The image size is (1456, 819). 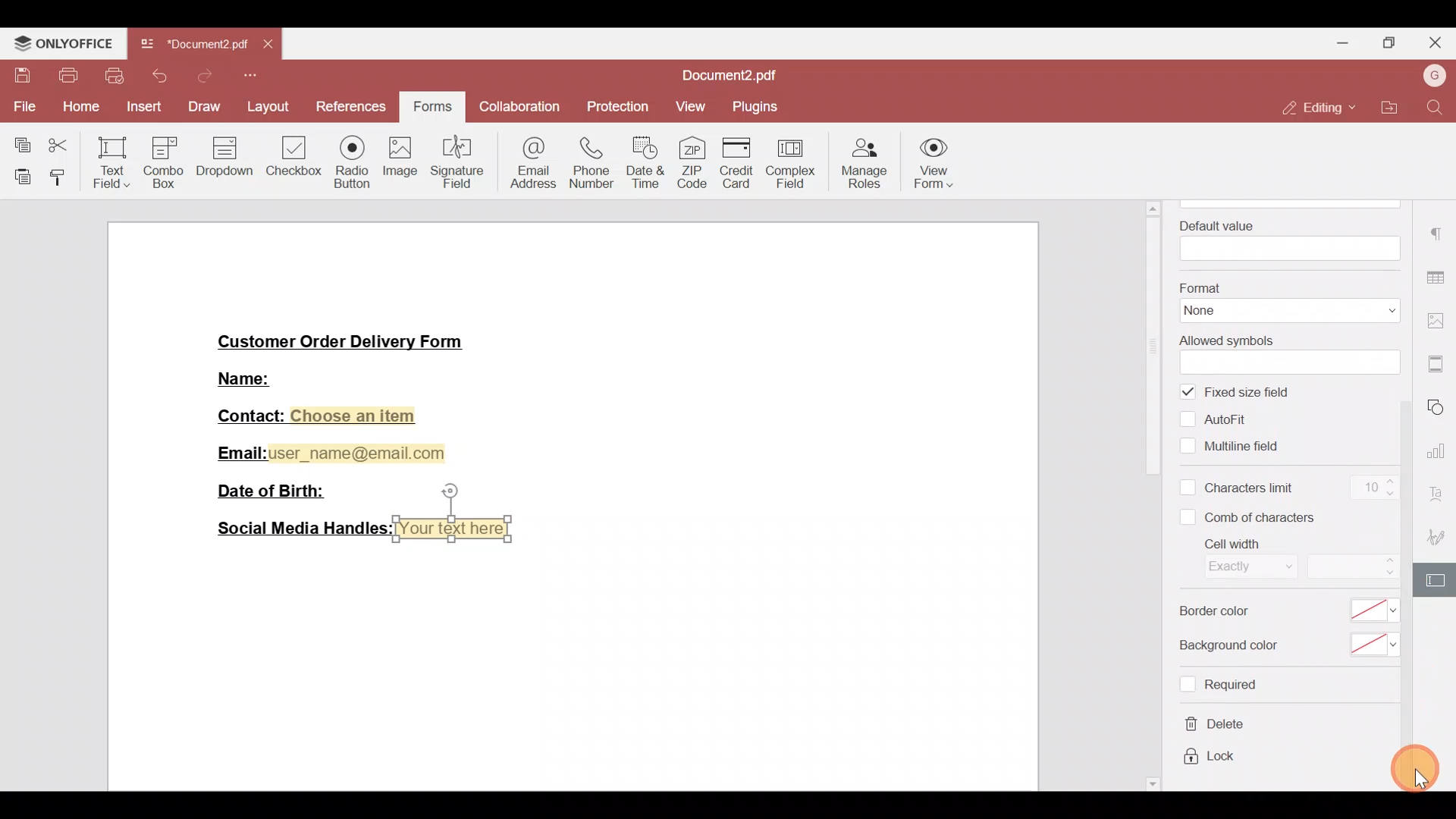 What do you see at coordinates (107, 164) in the screenshot?
I see `Text field` at bounding box center [107, 164].